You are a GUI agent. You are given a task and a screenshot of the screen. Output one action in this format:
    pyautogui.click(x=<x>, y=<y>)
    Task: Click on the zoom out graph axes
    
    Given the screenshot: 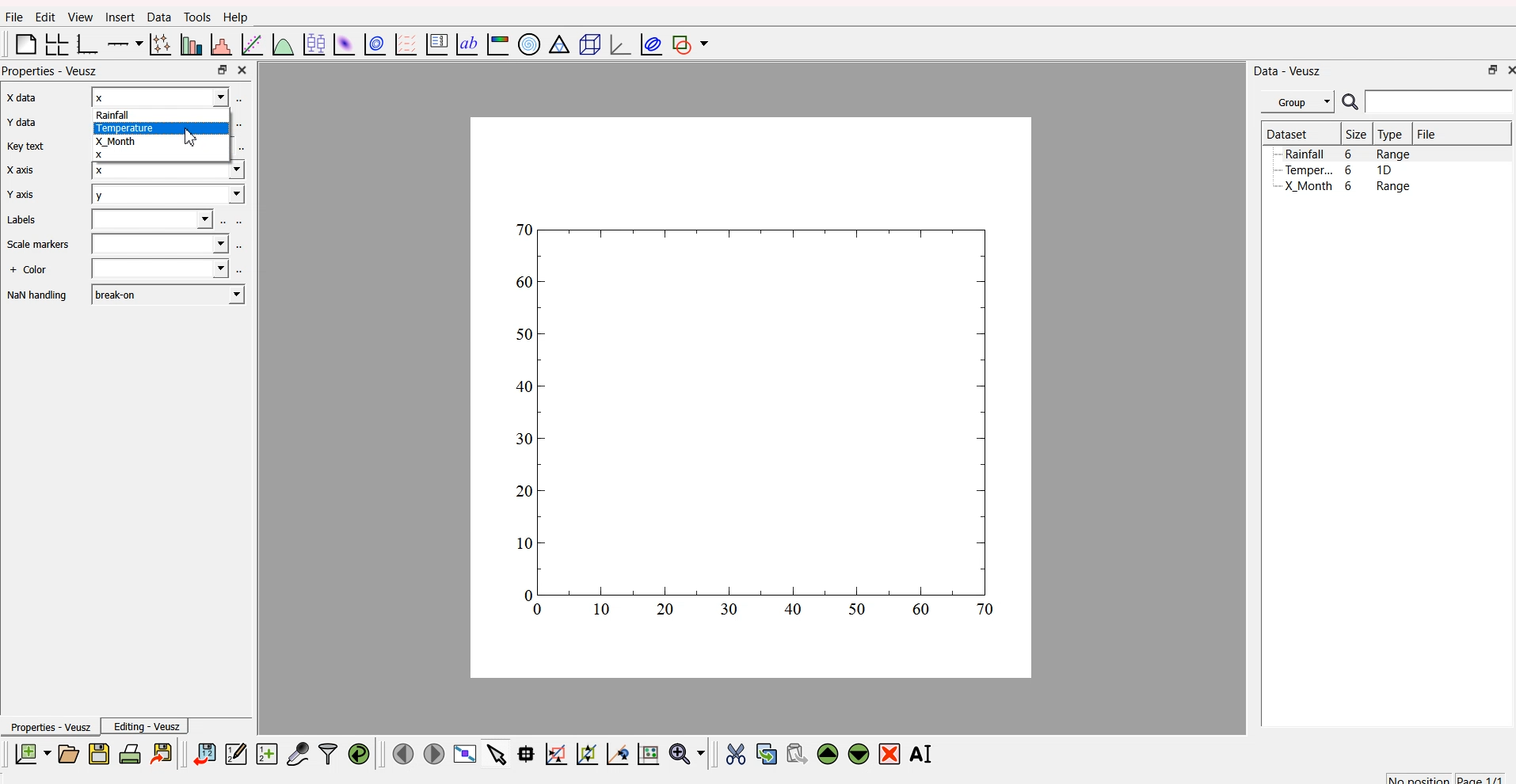 What is the action you would take?
    pyautogui.click(x=616, y=754)
    